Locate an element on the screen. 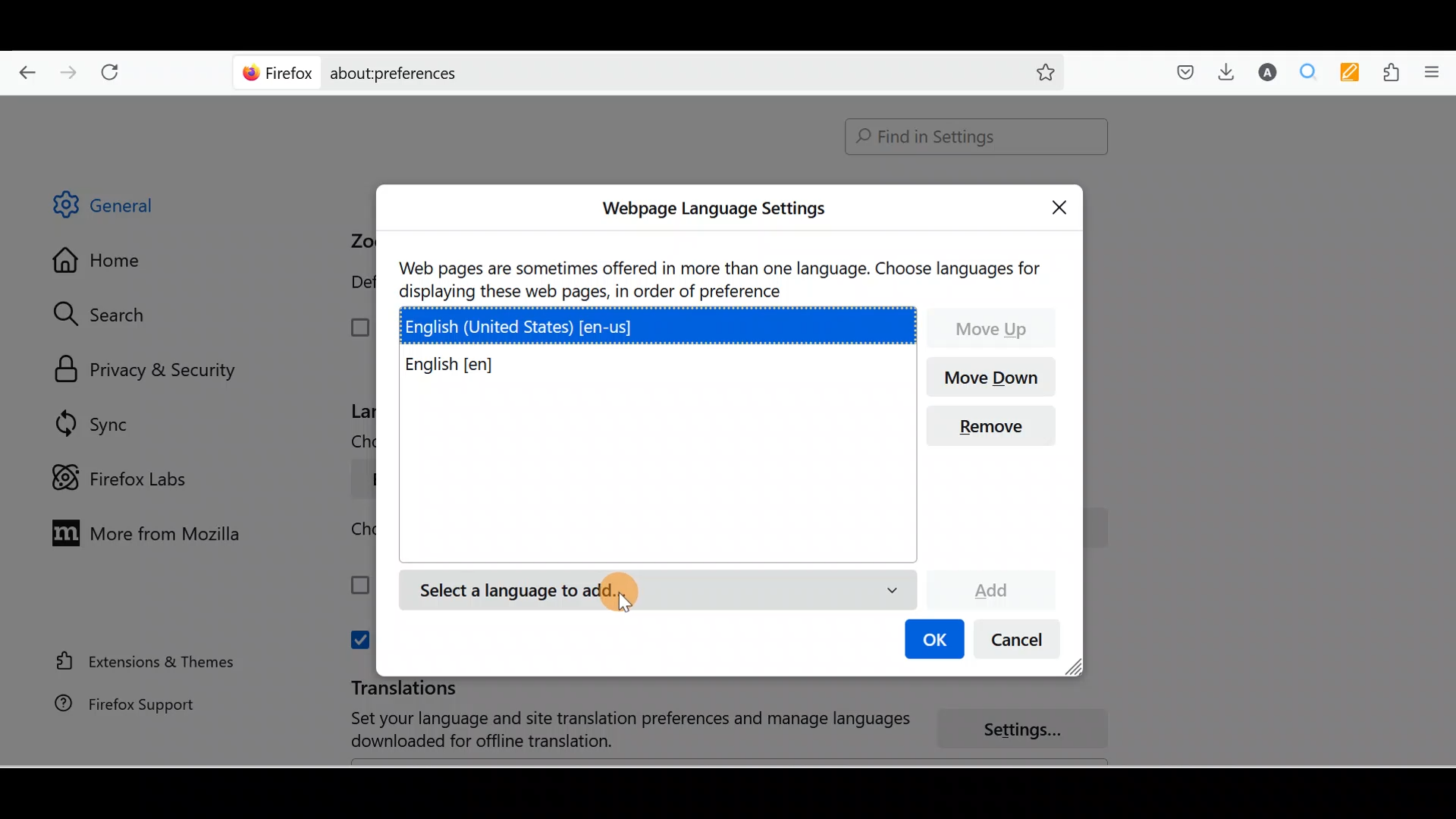  Cancel is located at coordinates (1021, 643).